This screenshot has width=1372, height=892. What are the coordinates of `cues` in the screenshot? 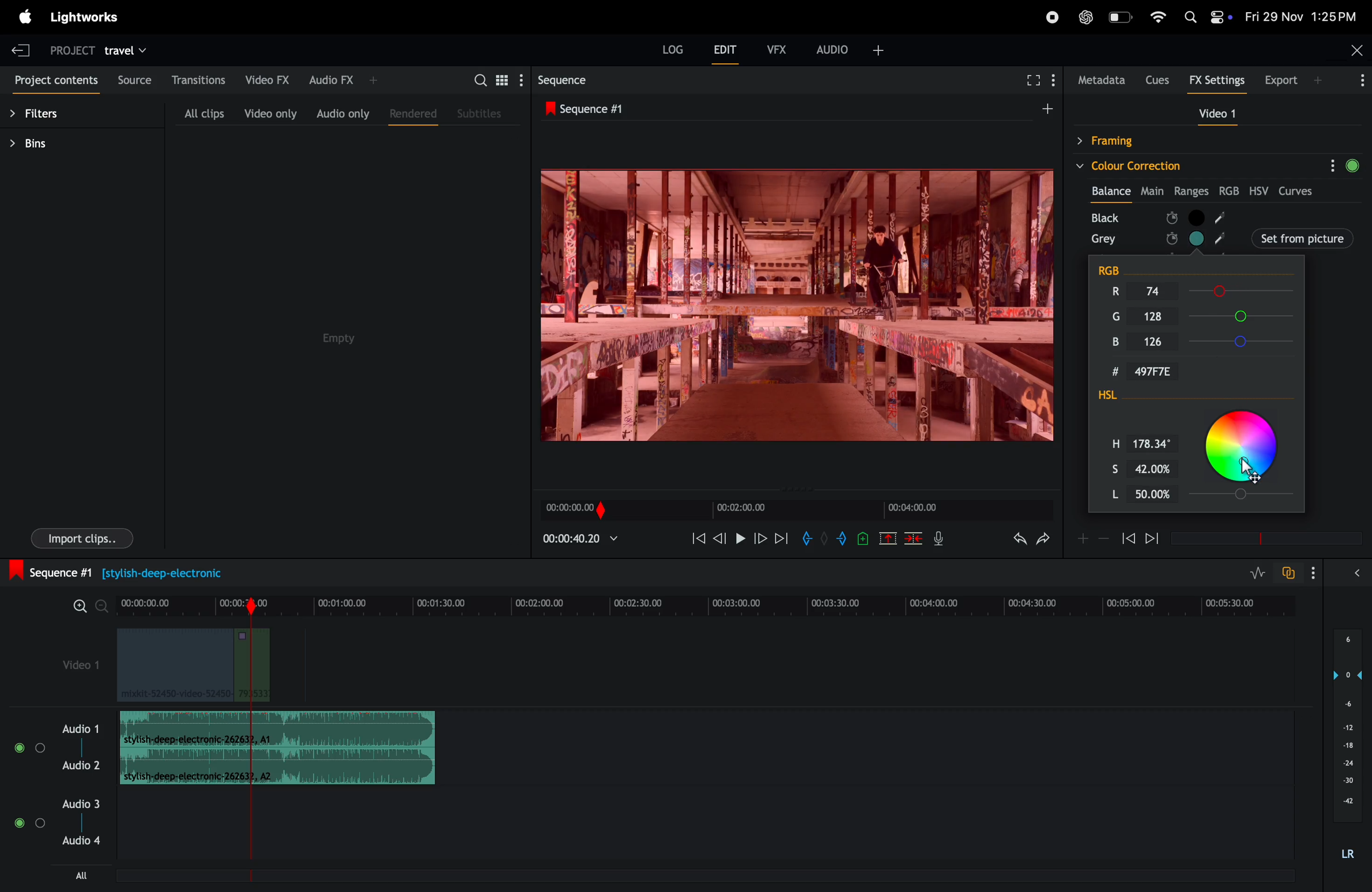 It's located at (1157, 80).